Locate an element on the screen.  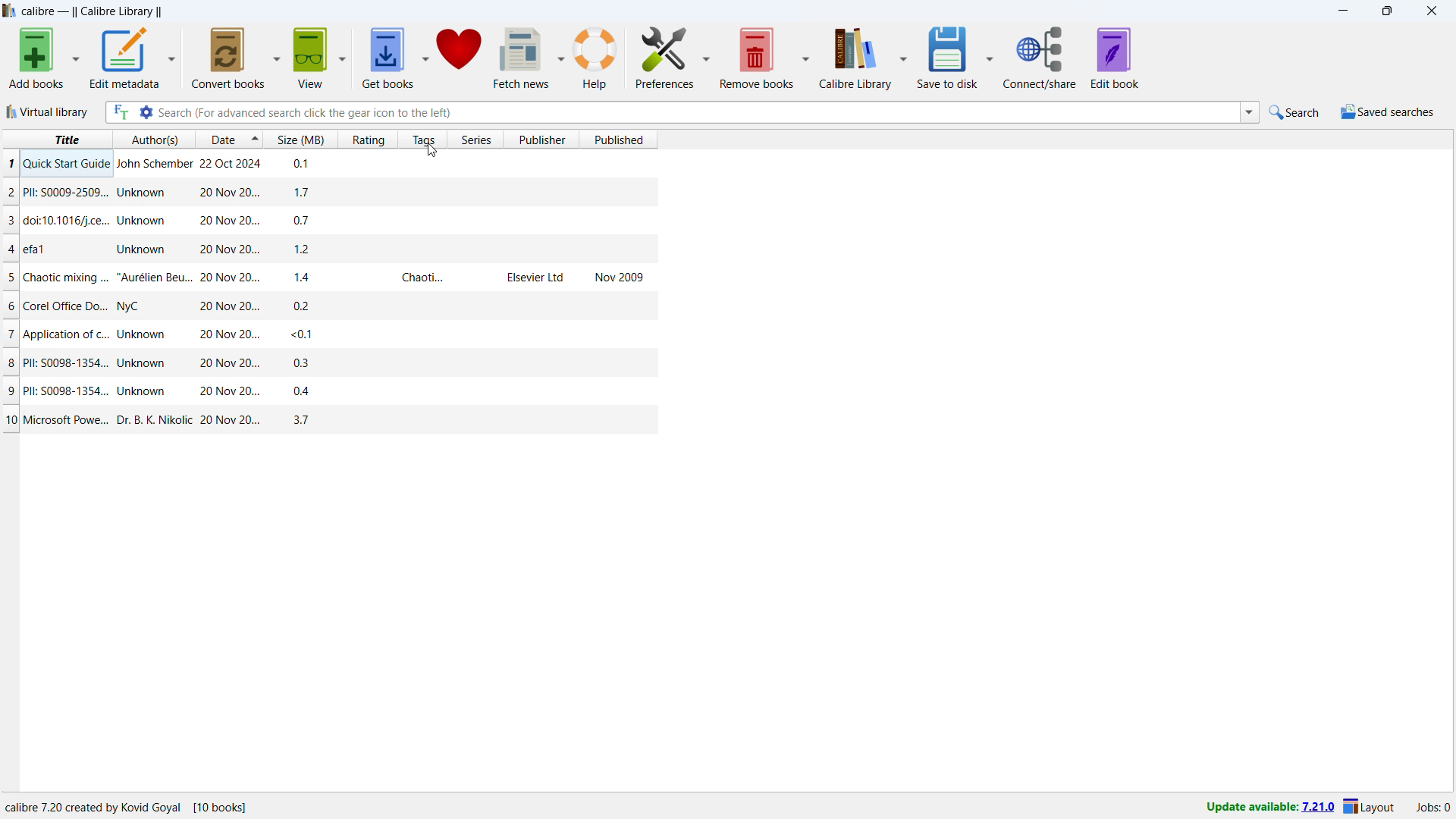
one book entry is located at coordinates (328, 334).